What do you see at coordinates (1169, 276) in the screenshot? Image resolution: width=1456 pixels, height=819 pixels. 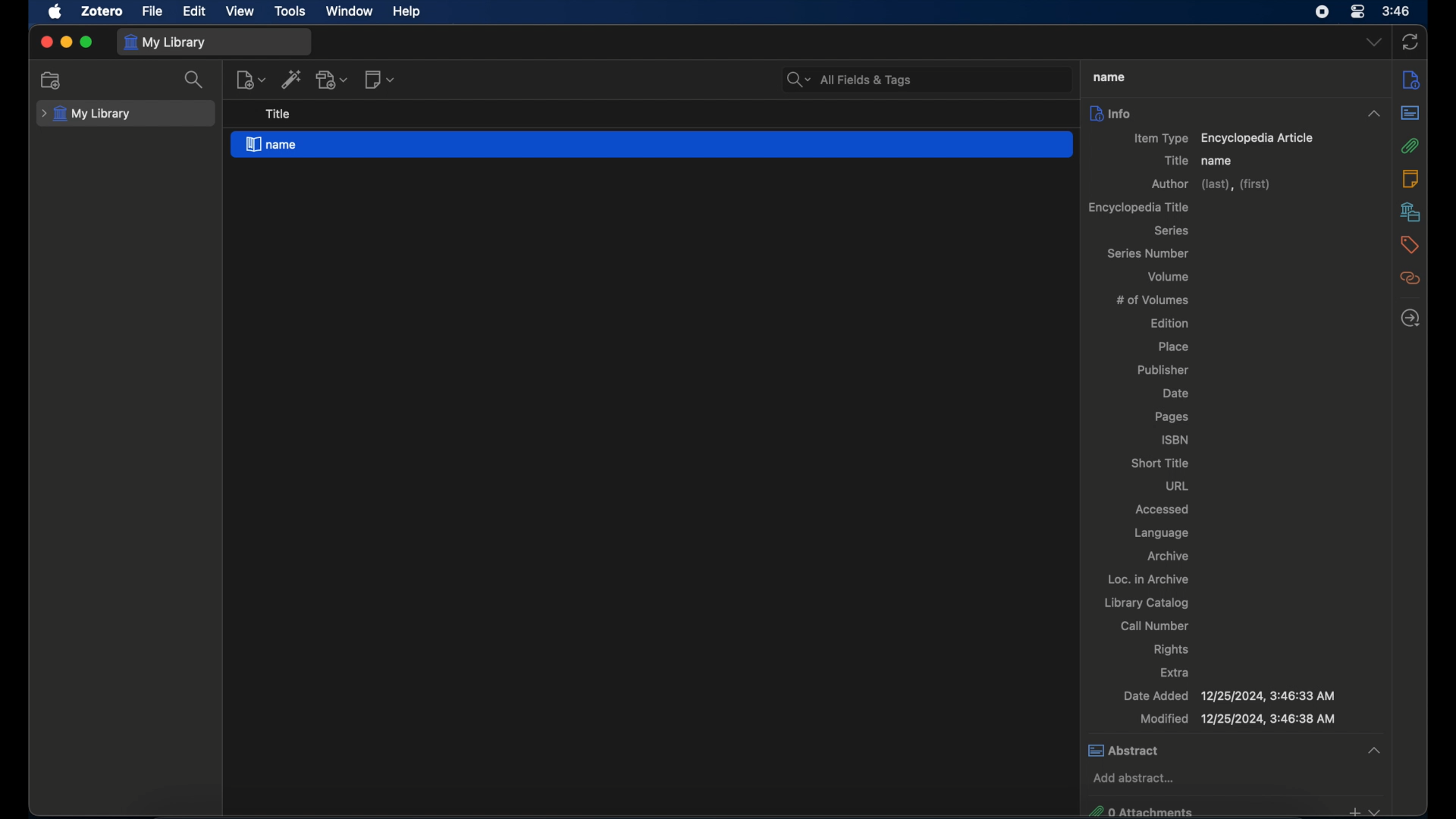 I see `volume` at bounding box center [1169, 276].